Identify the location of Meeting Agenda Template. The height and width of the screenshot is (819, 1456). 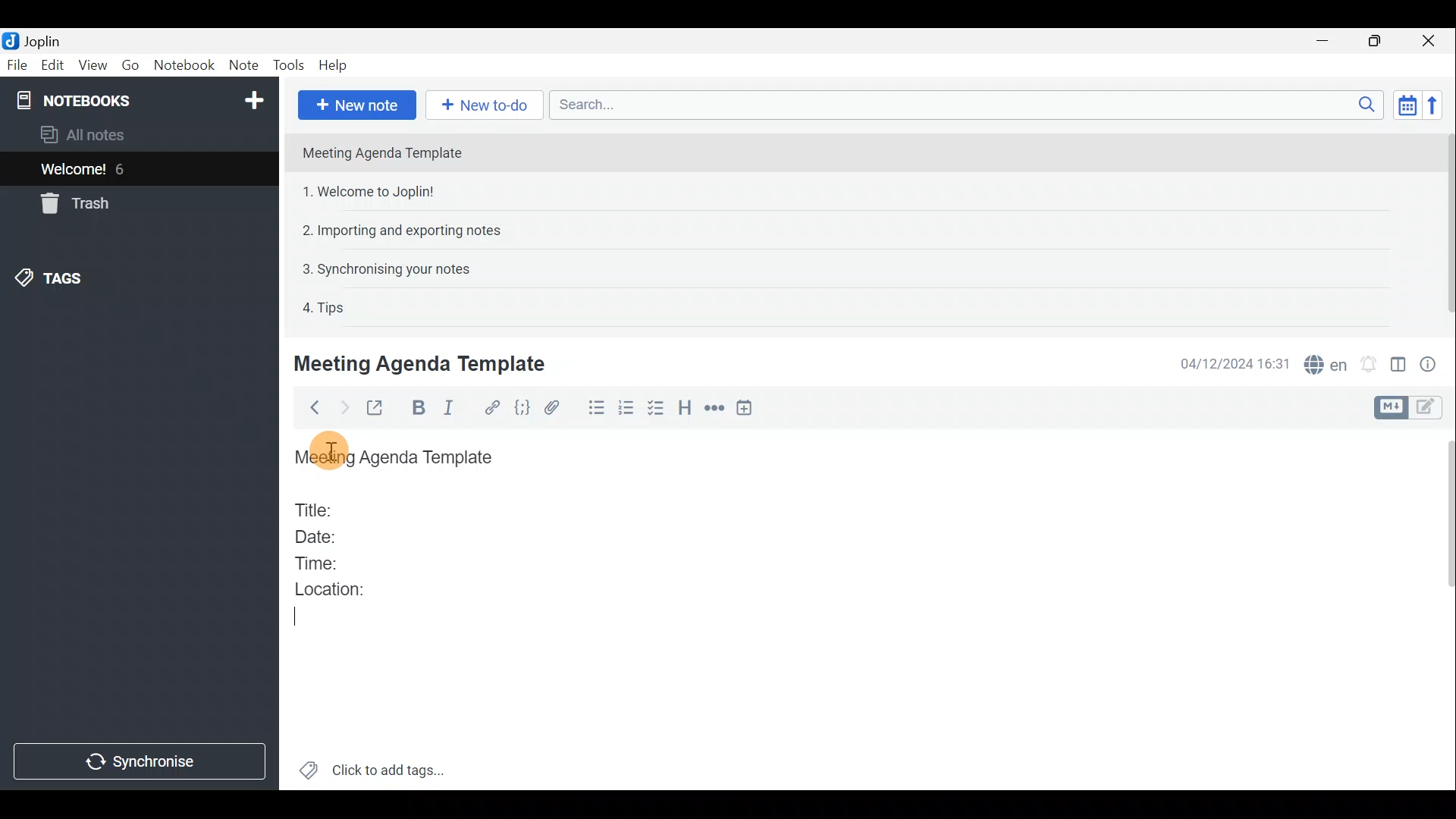
(398, 458).